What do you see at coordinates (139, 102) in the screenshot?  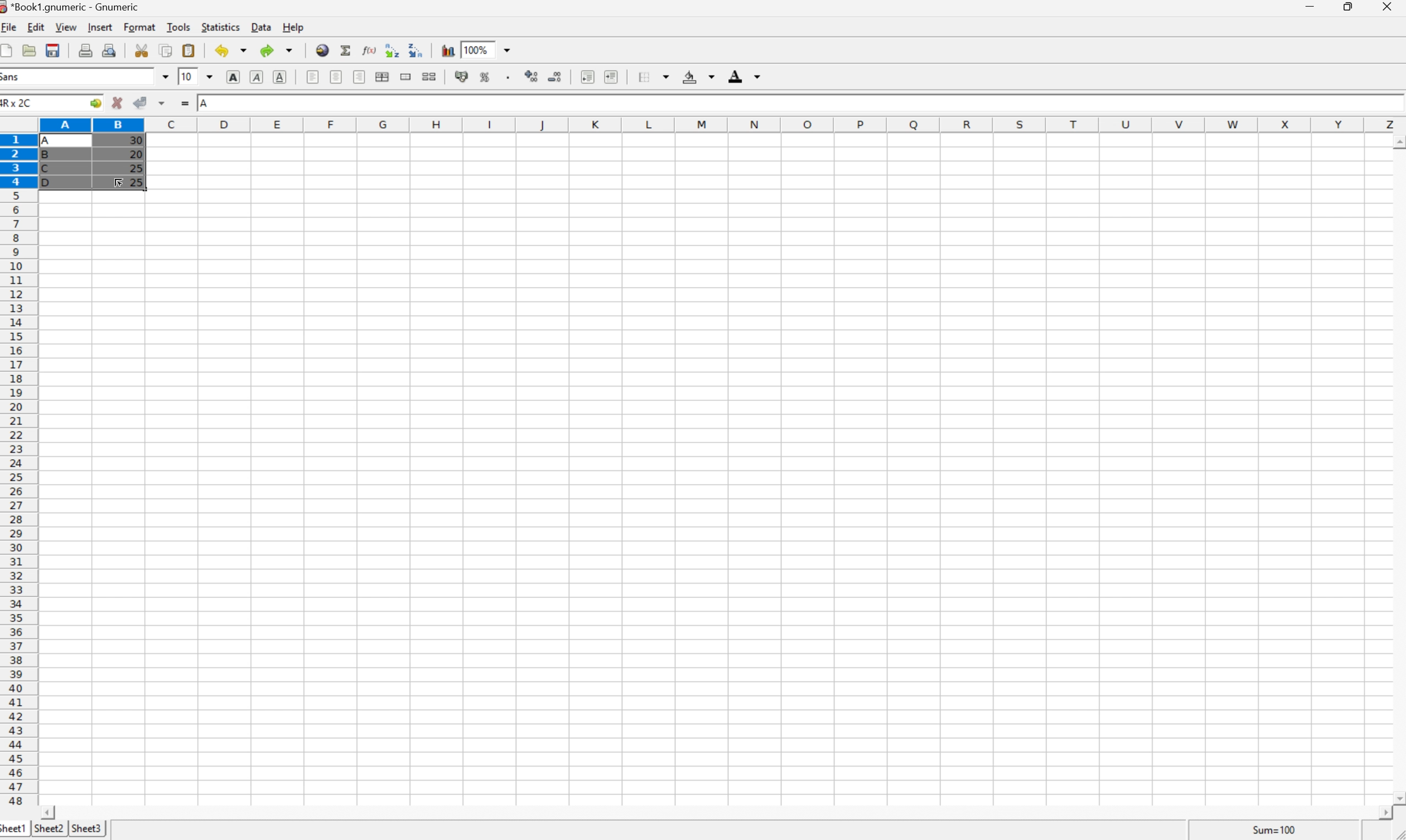 I see `Accept Changes` at bounding box center [139, 102].